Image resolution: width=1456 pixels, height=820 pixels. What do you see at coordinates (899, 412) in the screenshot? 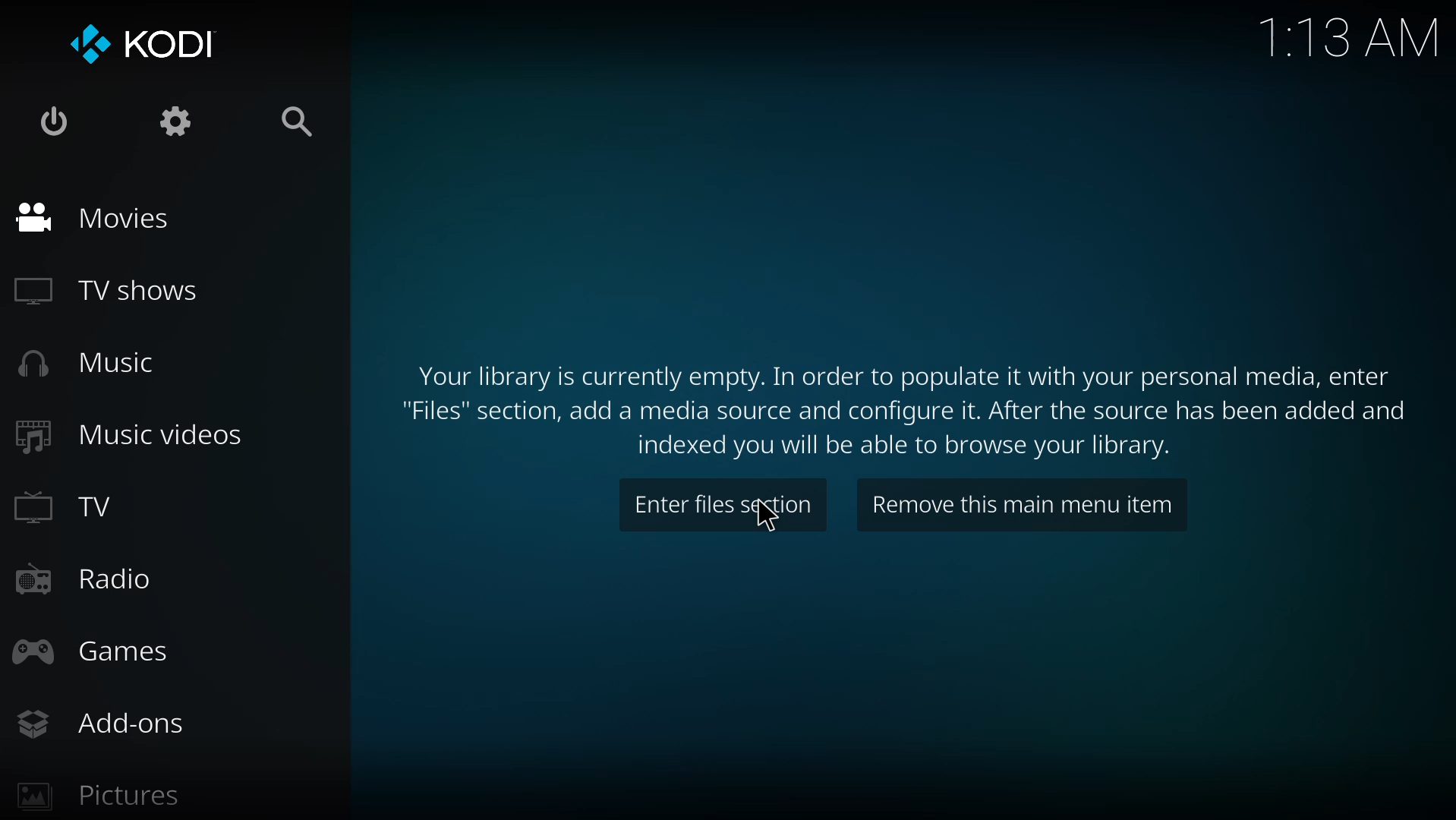
I see `Your library is currently empty. In order to populate it with your personal media, enter
"Files" section, add a media source and configure it. After the source has been added and
indexed you will be able to browse your library.` at bounding box center [899, 412].